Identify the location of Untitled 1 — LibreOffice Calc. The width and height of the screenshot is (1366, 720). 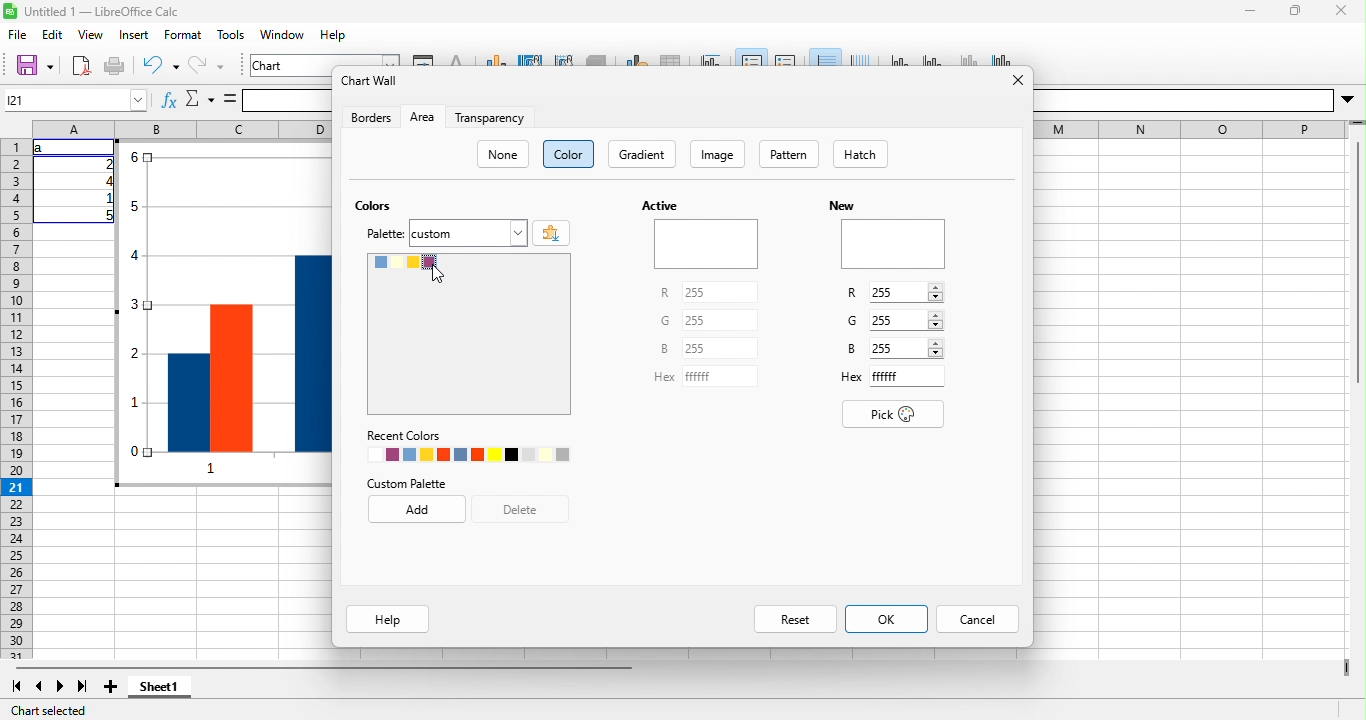
(102, 12).